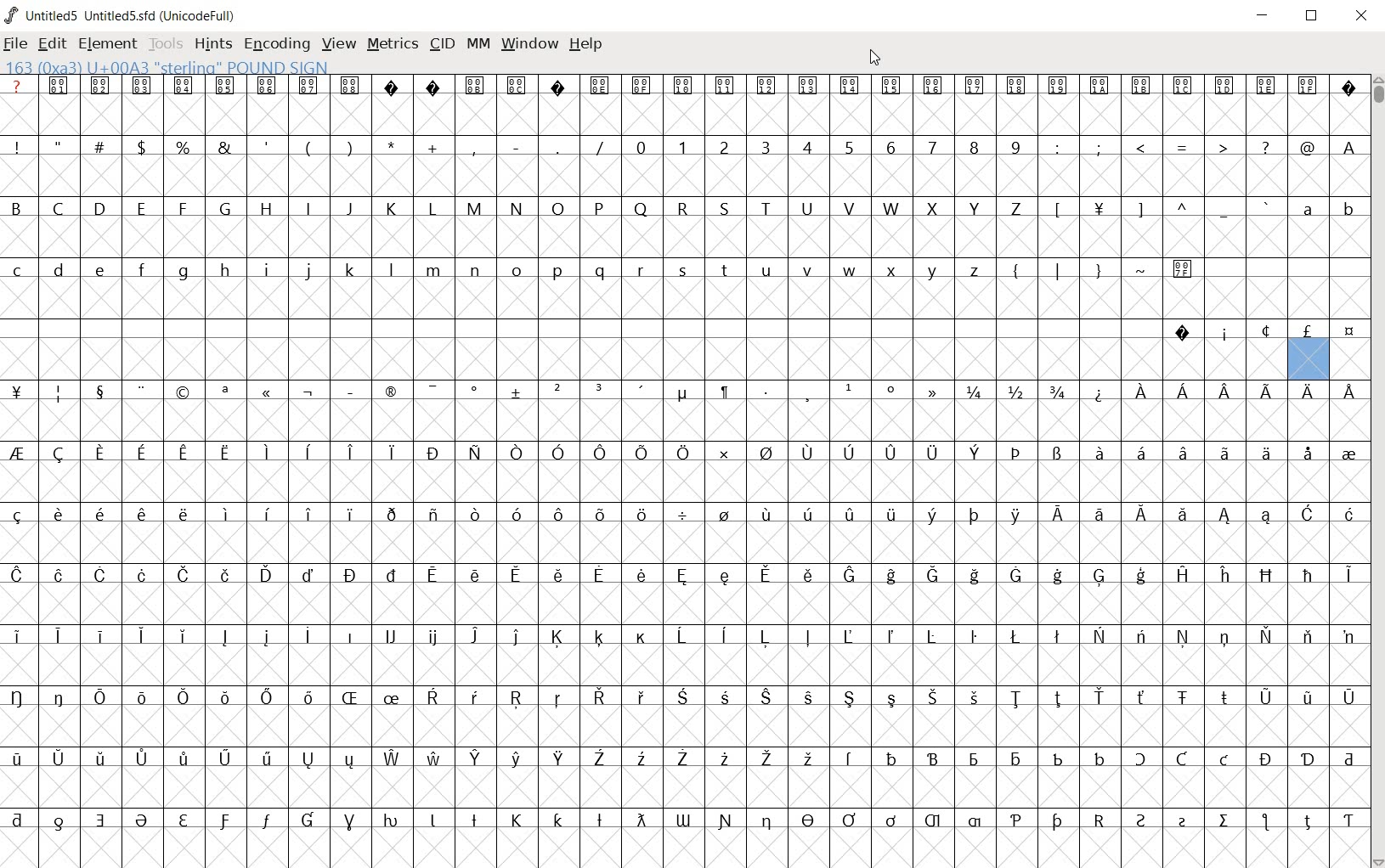 This screenshot has width=1385, height=868. Describe the element at coordinates (891, 206) in the screenshot. I see `W` at that location.